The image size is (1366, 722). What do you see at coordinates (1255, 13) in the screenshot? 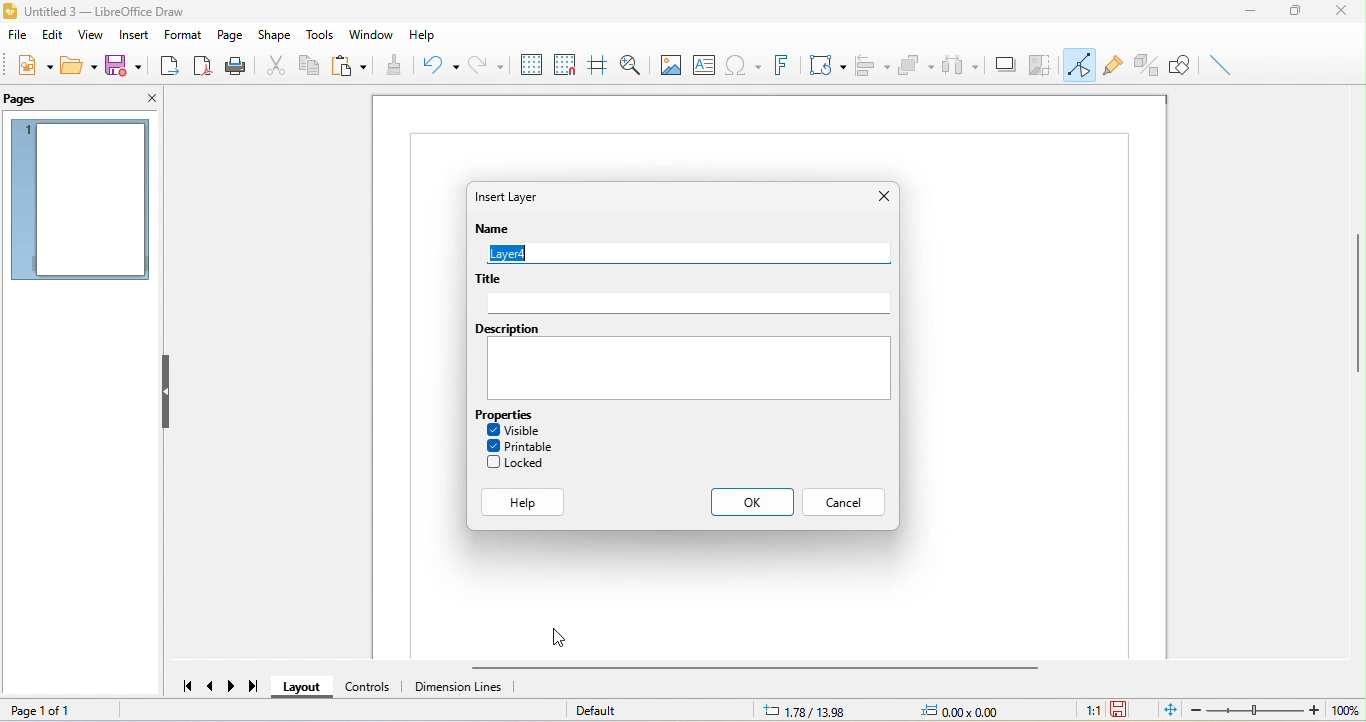
I see `minimize` at bounding box center [1255, 13].